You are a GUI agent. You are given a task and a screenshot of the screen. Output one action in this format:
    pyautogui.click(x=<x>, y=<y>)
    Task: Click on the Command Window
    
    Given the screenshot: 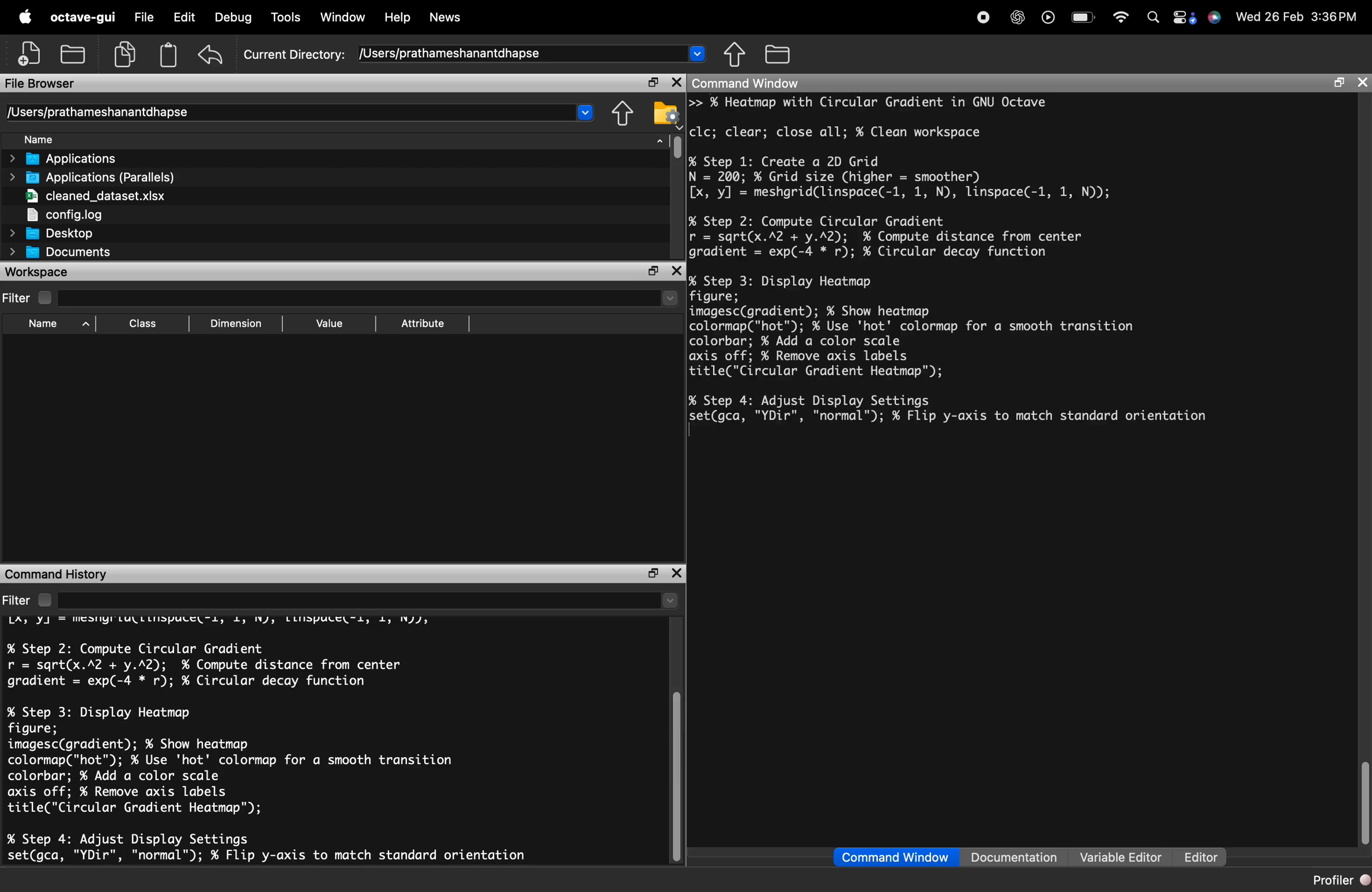 What is the action you would take?
    pyautogui.click(x=985, y=82)
    